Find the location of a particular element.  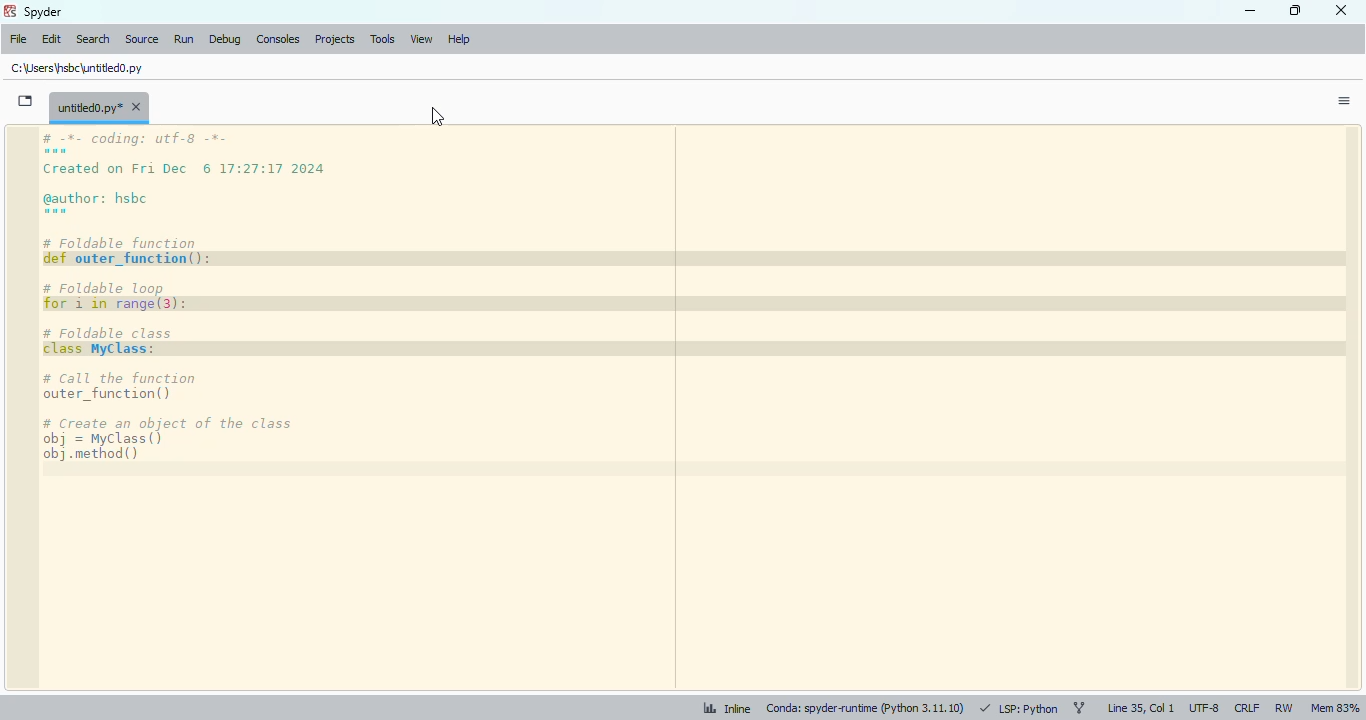

view is located at coordinates (421, 40).